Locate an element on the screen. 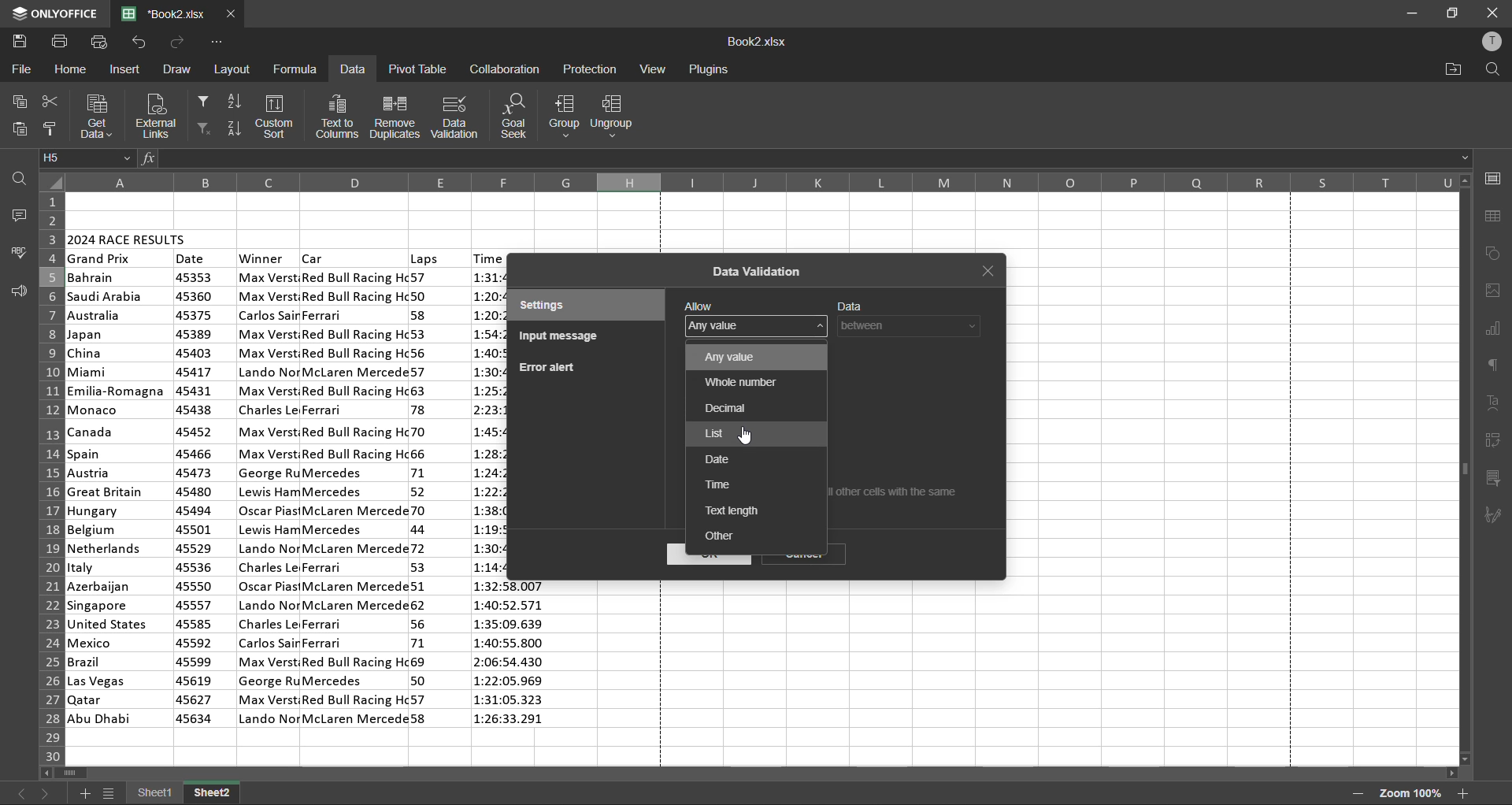 This screenshot has width=1512, height=805. find is located at coordinates (22, 178).